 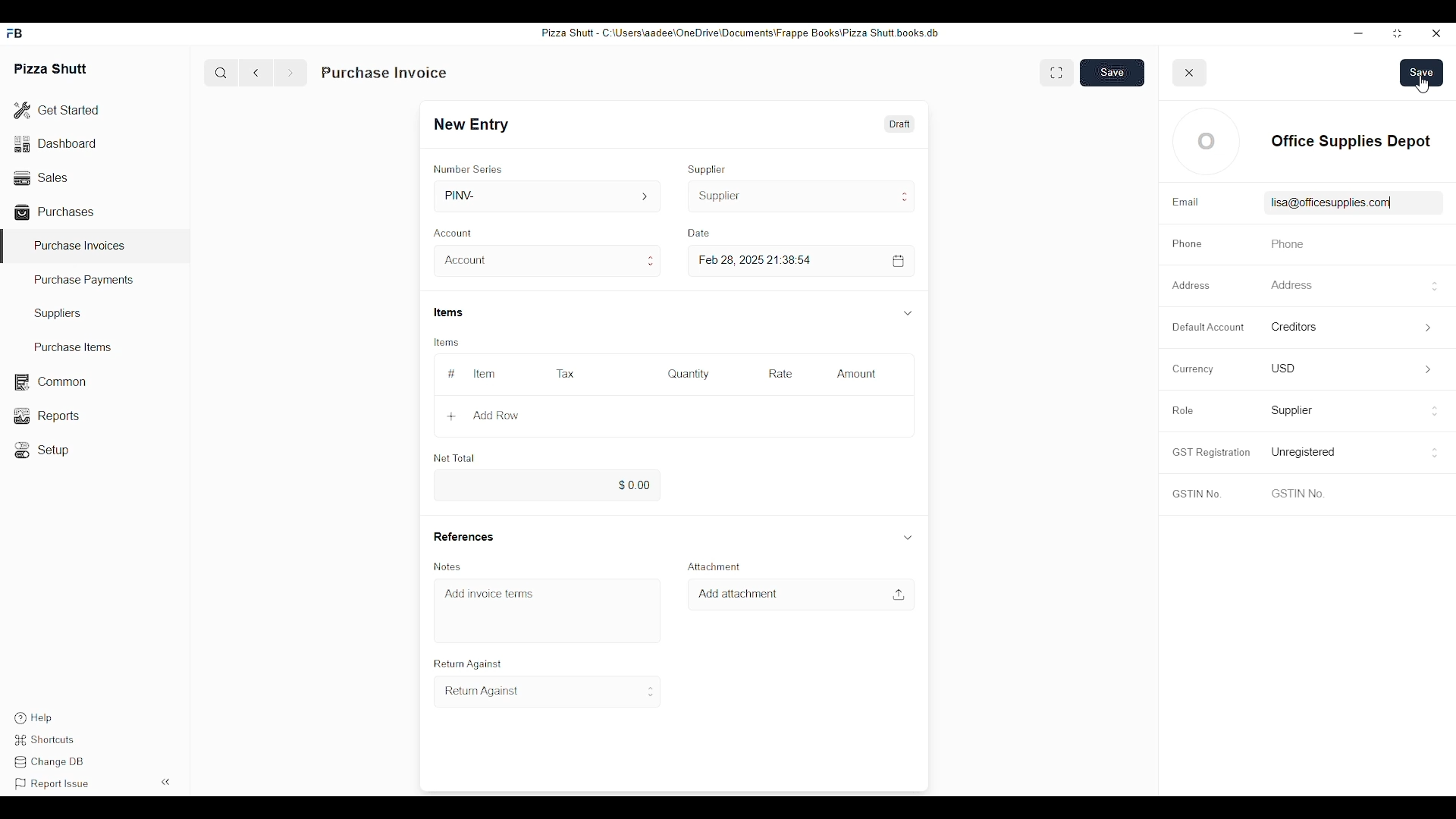 I want to click on Amount, so click(x=858, y=374).